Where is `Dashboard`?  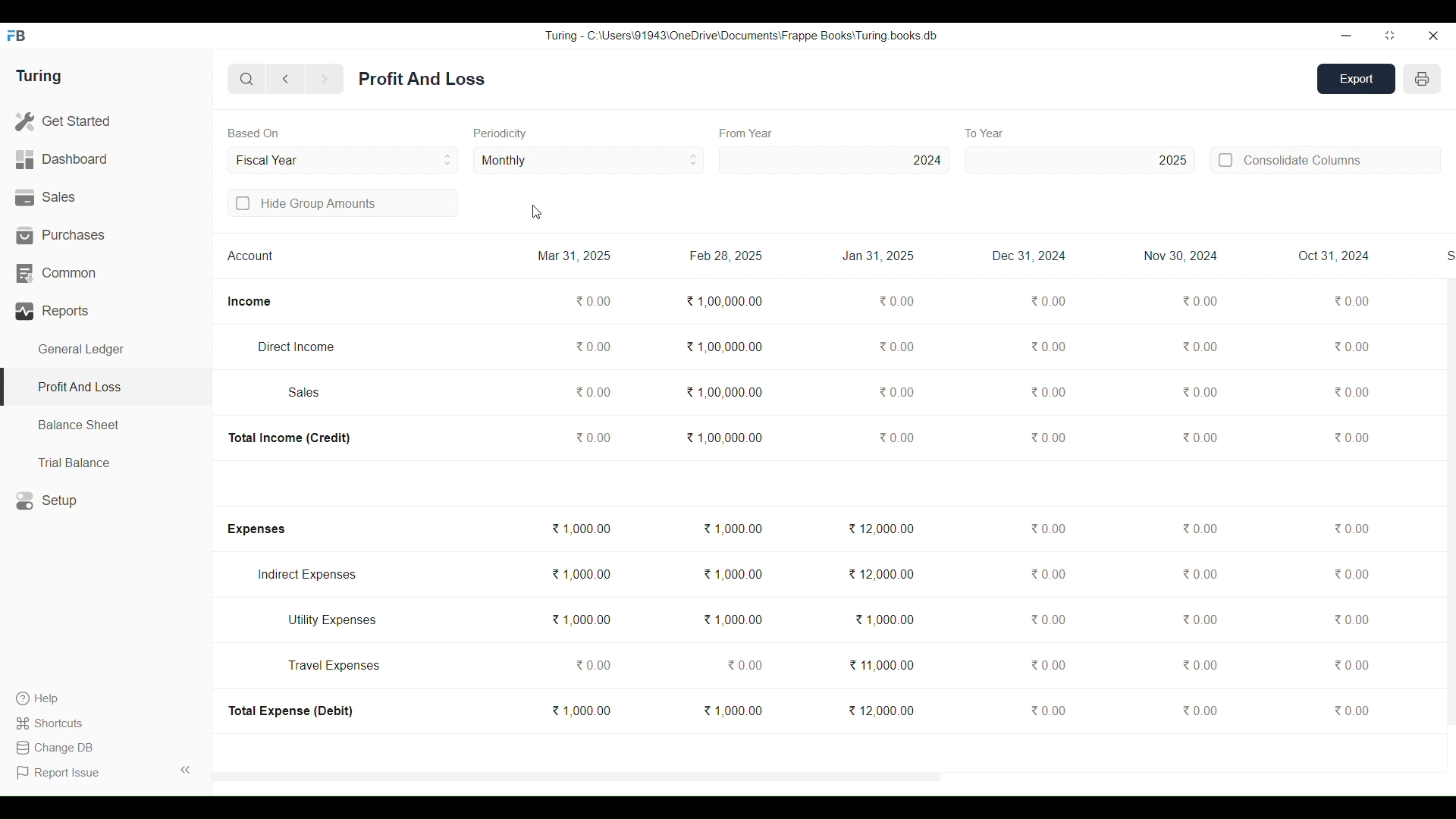 Dashboard is located at coordinates (105, 160).